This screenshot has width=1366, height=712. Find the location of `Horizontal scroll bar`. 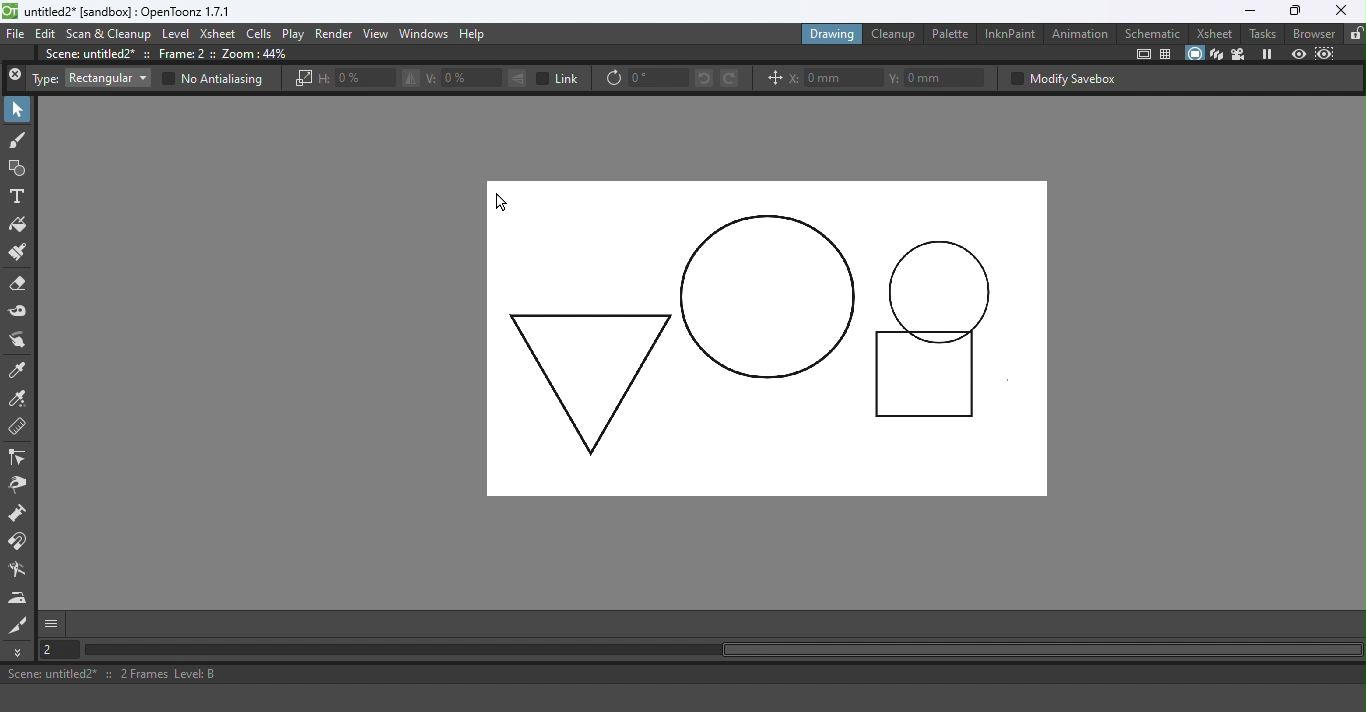

Horizontal scroll bar is located at coordinates (733, 651).